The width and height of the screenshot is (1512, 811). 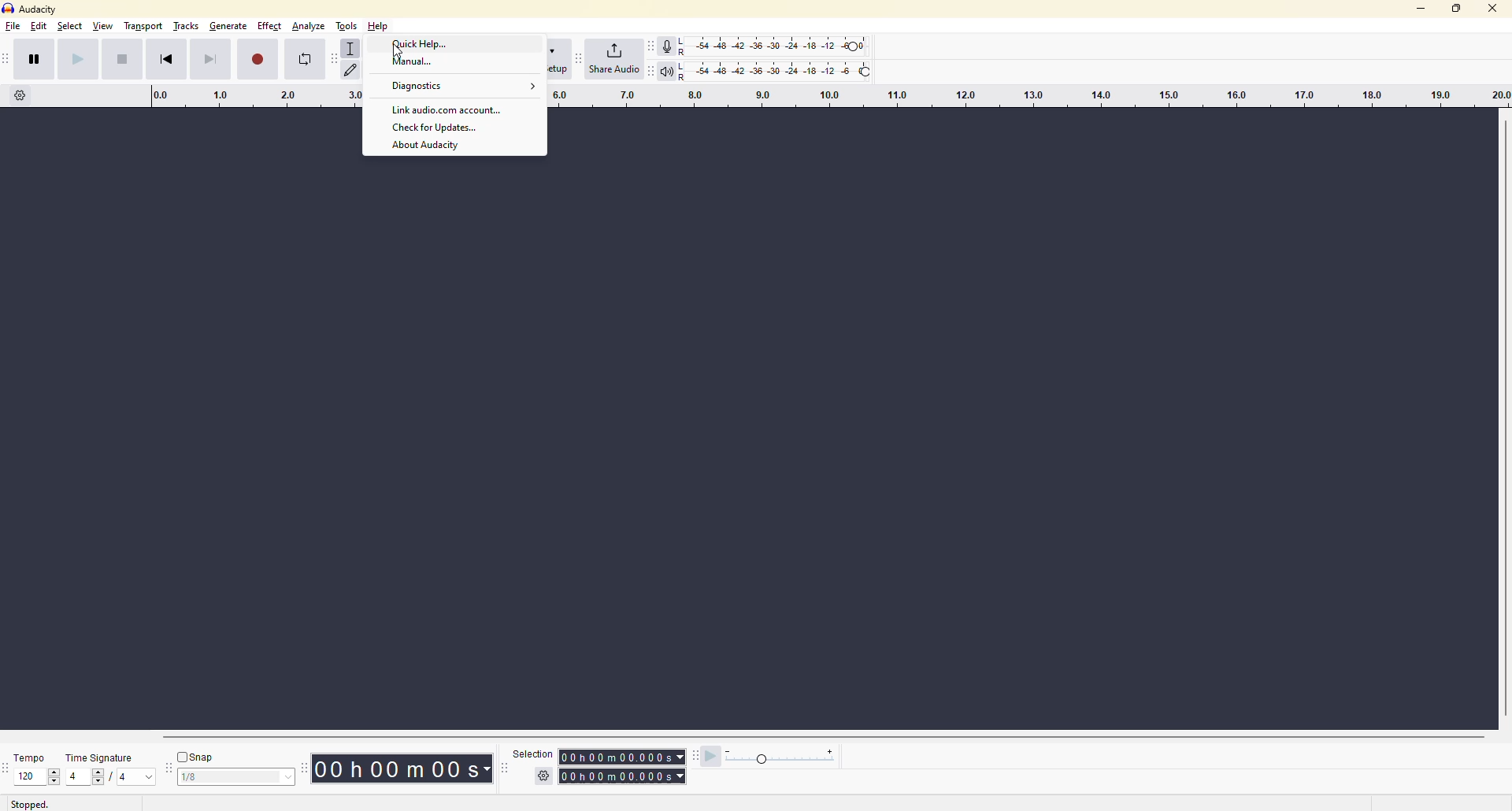 What do you see at coordinates (167, 58) in the screenshot?
I see `skip to start` at bounding box center [167, 58].